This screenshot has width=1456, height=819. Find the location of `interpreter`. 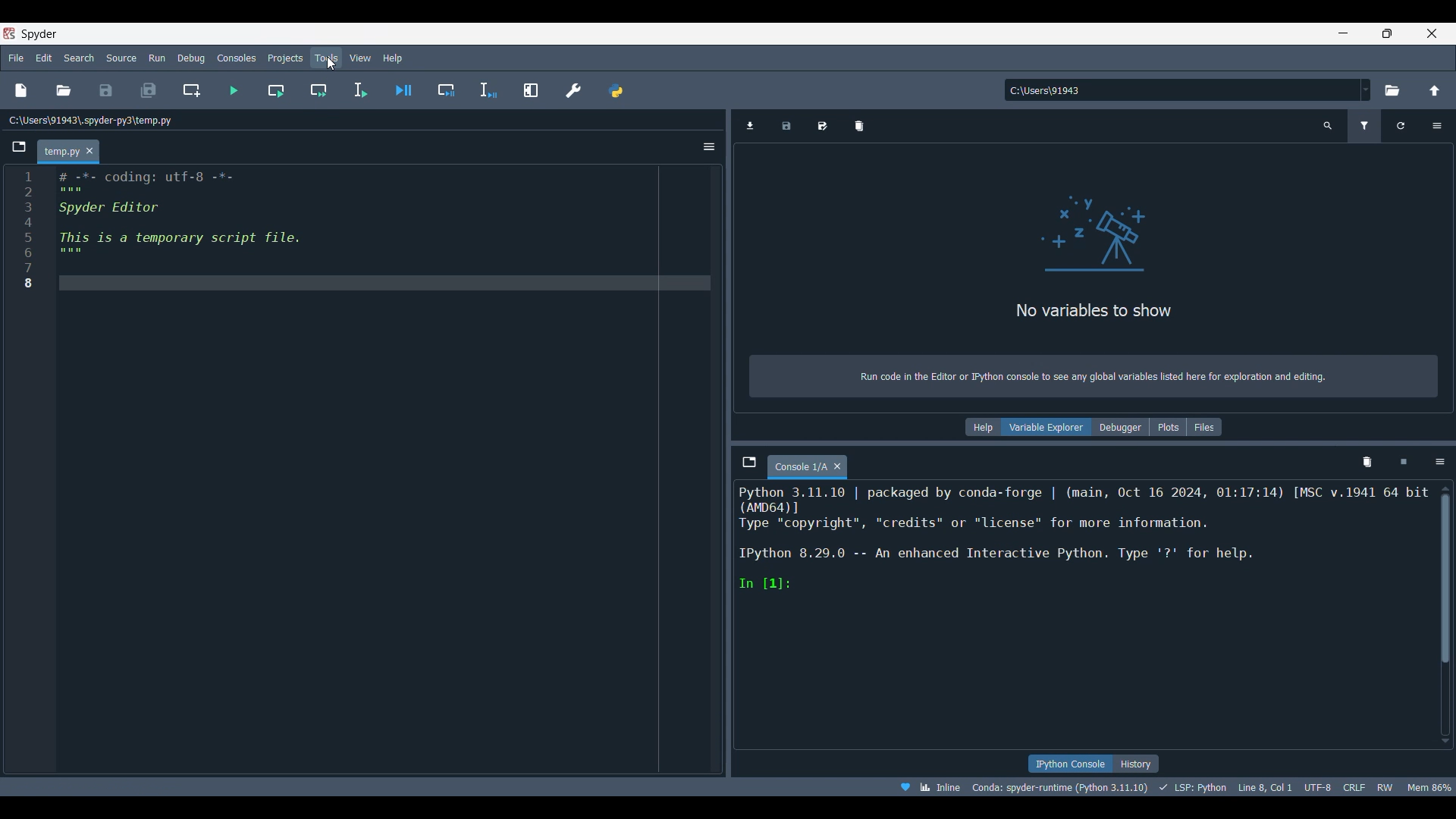

interpreter is located at coordinates (1061, 787).